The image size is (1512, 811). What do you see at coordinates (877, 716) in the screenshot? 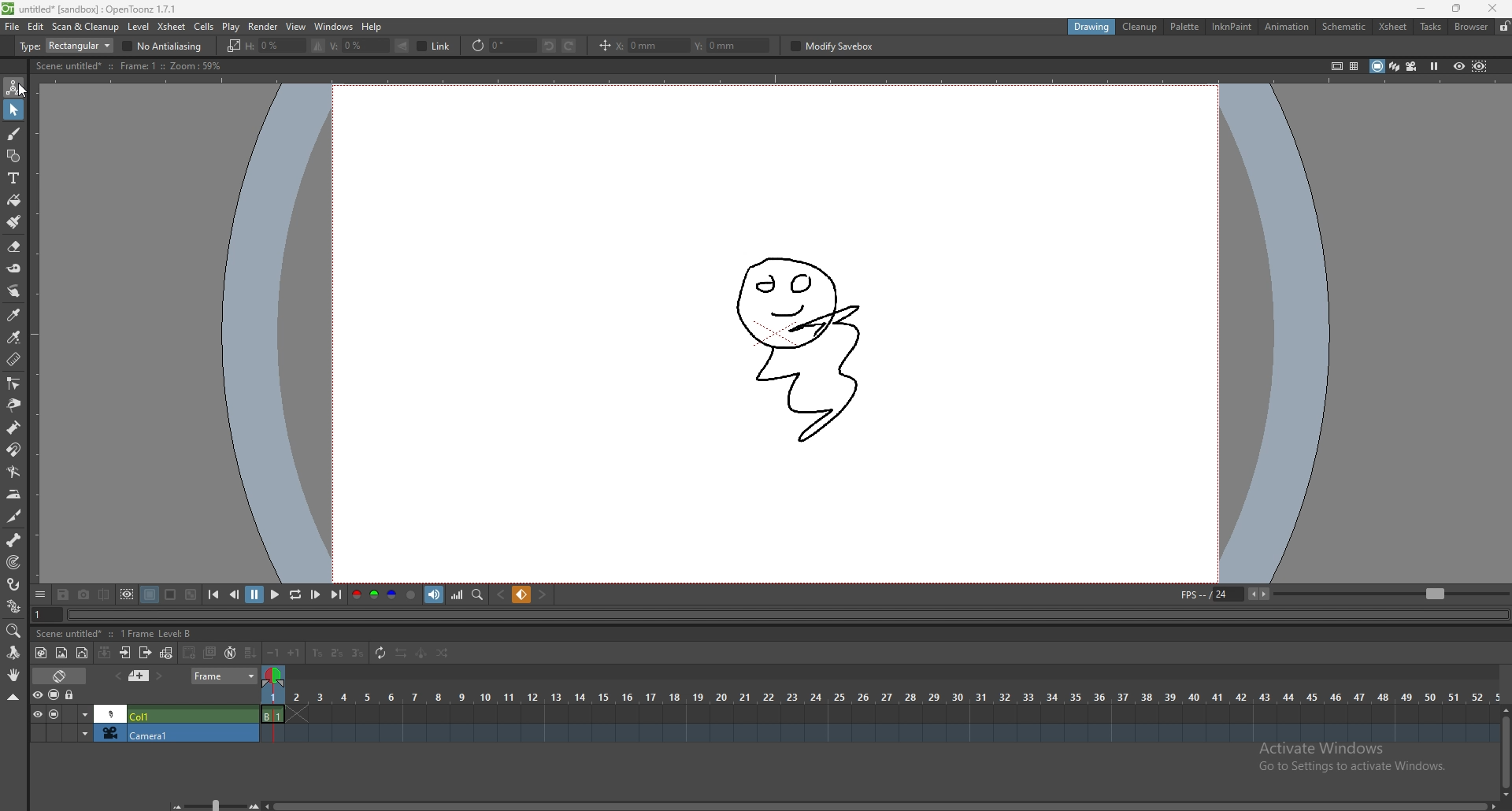
I see `column 1 timeline` at bounding box center [877, 716].